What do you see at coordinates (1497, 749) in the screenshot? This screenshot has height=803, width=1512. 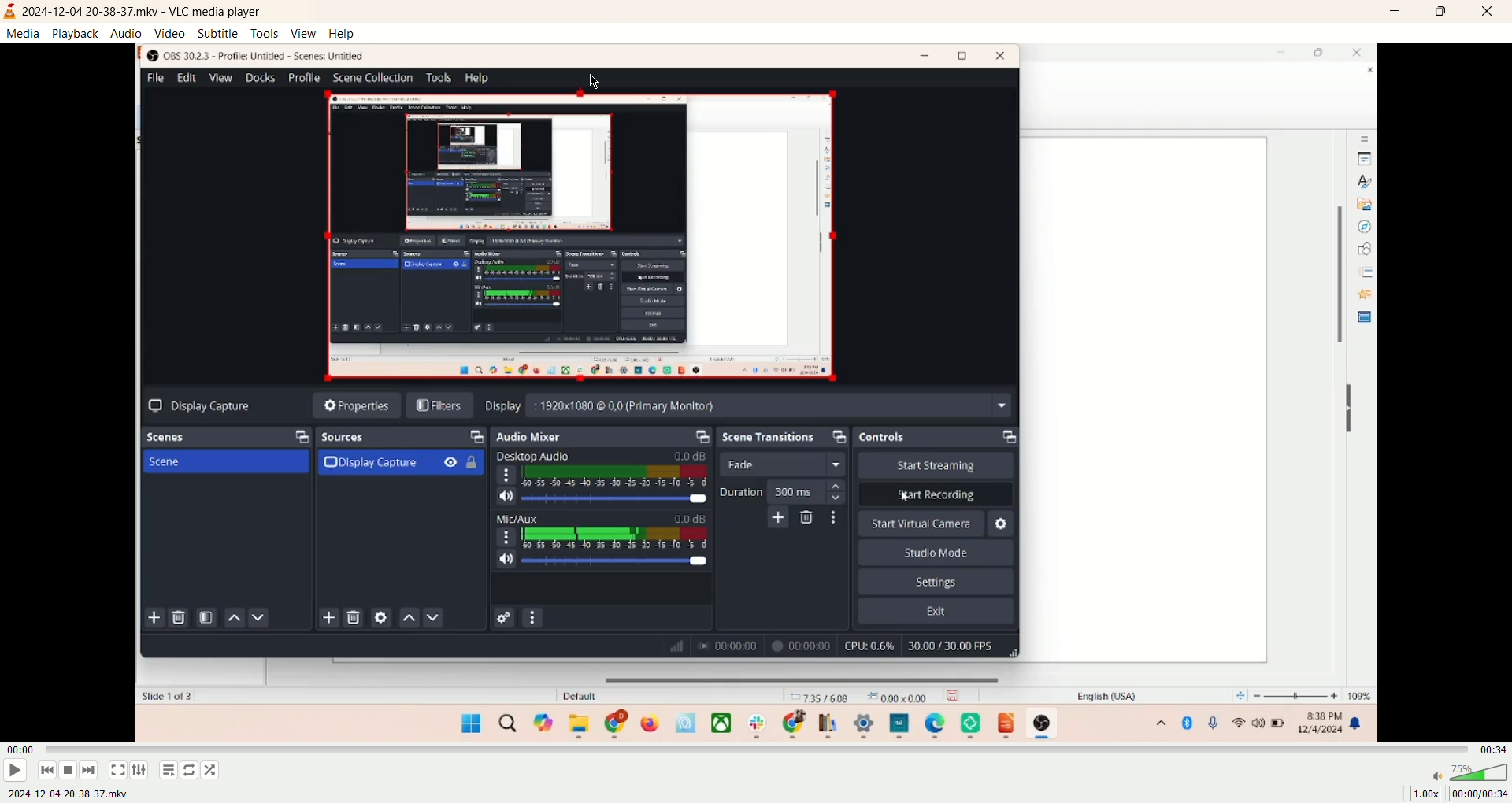 I see `total time` at bounding box center [1497, 749].